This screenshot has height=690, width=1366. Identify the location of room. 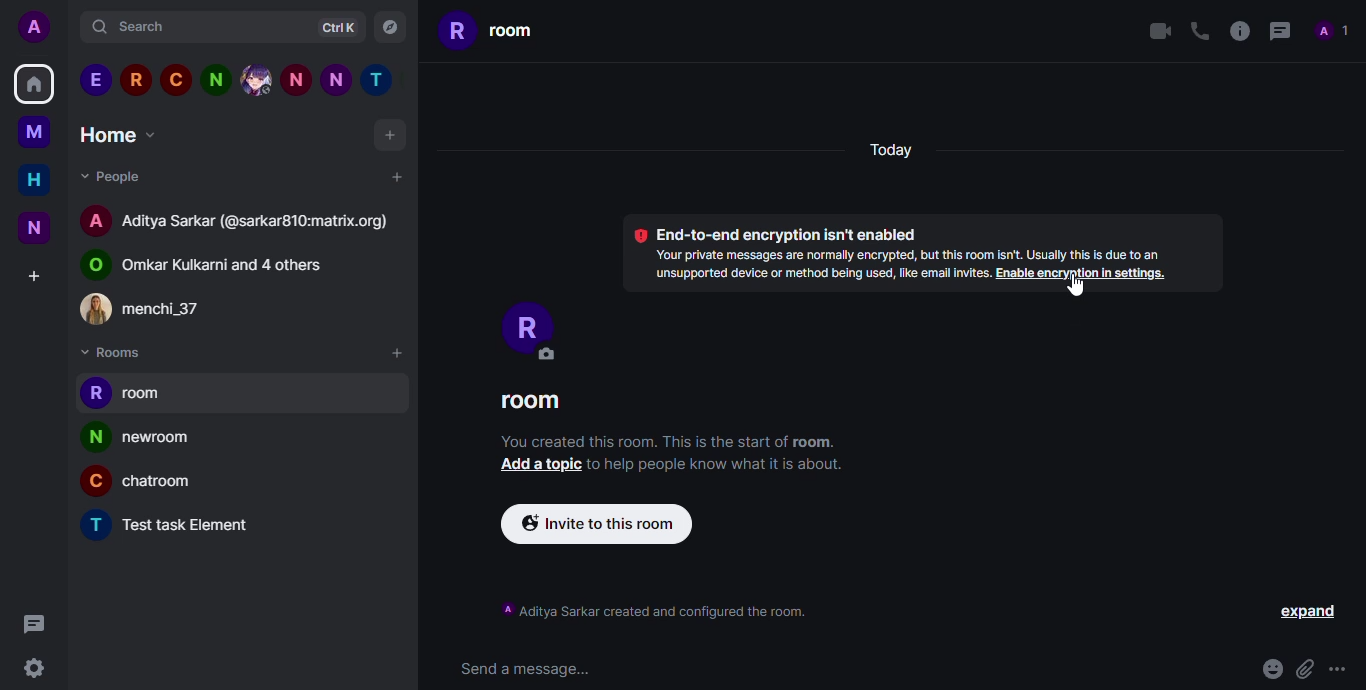
(150, 397).